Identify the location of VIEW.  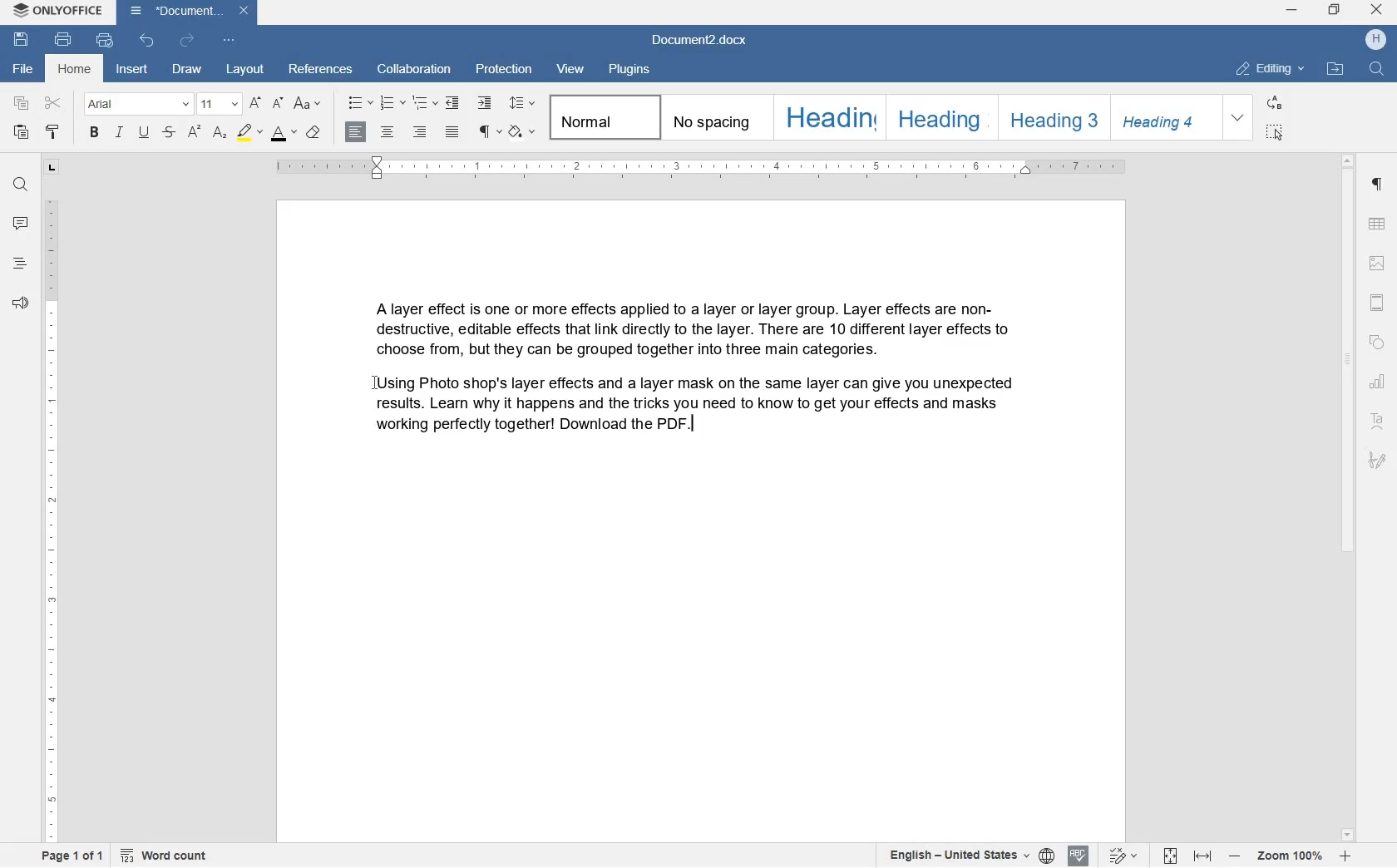
(568, 69).